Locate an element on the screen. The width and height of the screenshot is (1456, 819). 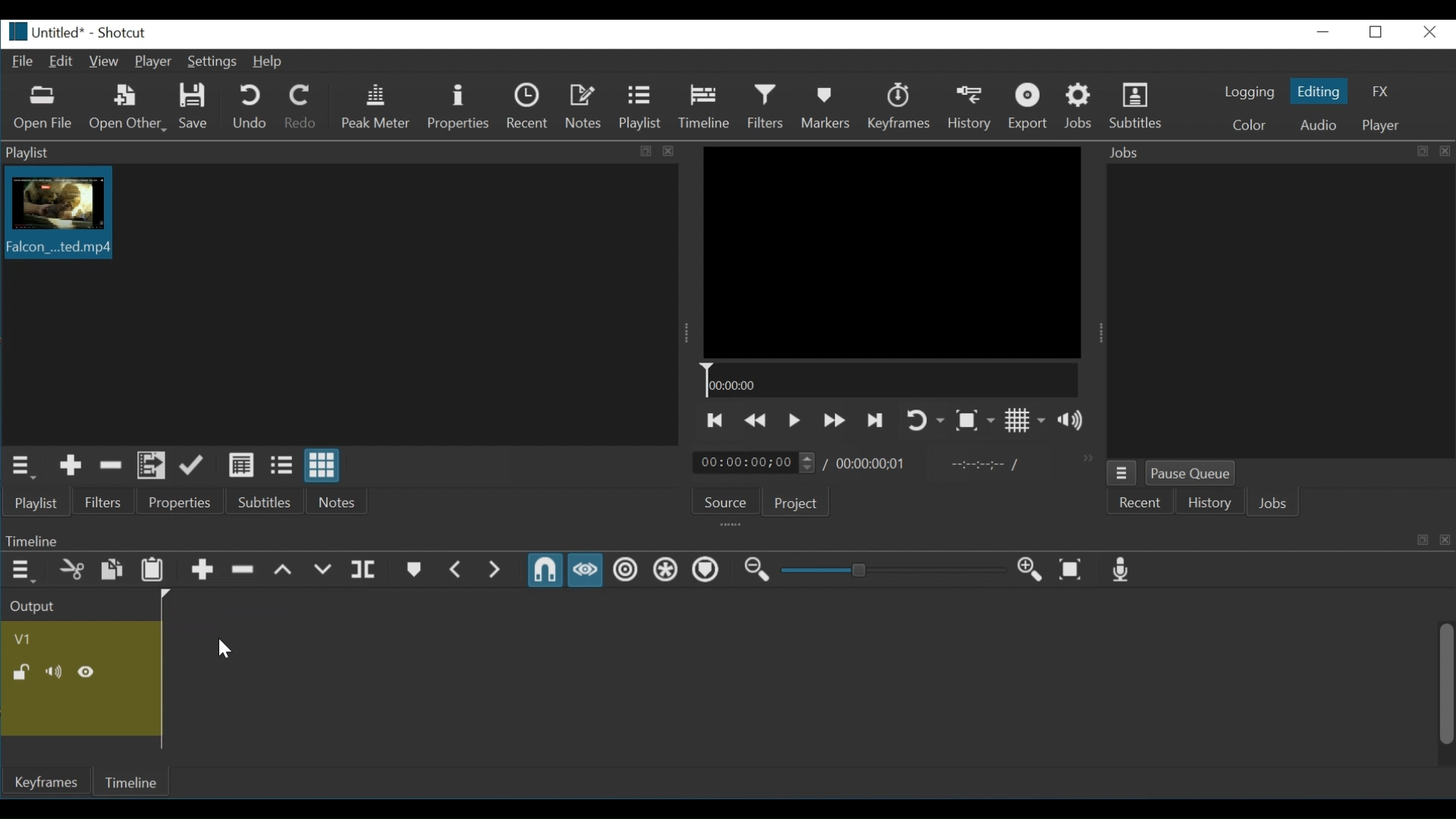
Toggle grid display on the player is located at coordinates (1025, 421).